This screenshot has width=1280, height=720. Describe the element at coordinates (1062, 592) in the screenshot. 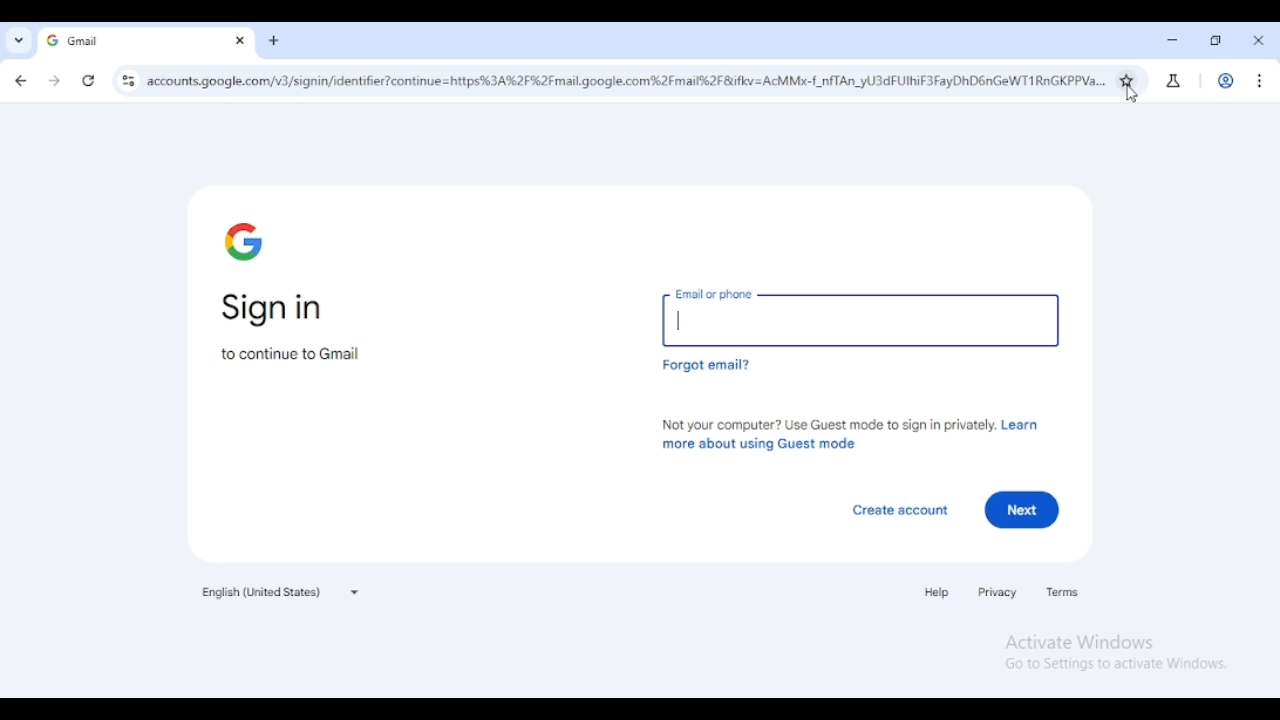

I see `terms` at that location.